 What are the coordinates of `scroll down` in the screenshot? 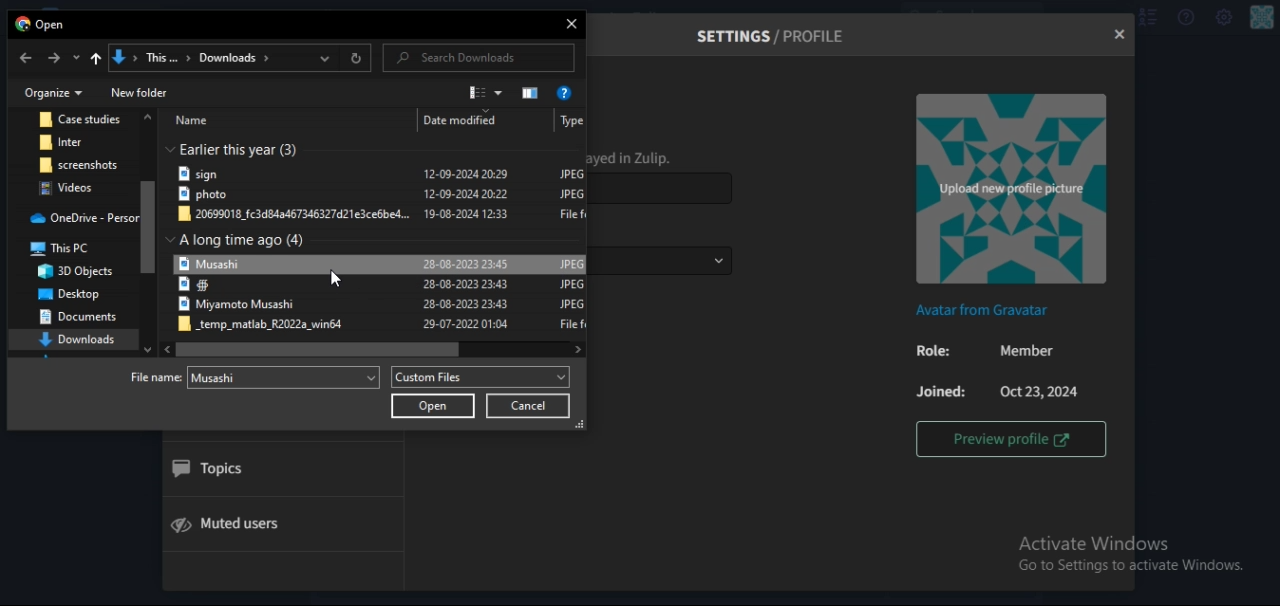 It's located at (148, 347).